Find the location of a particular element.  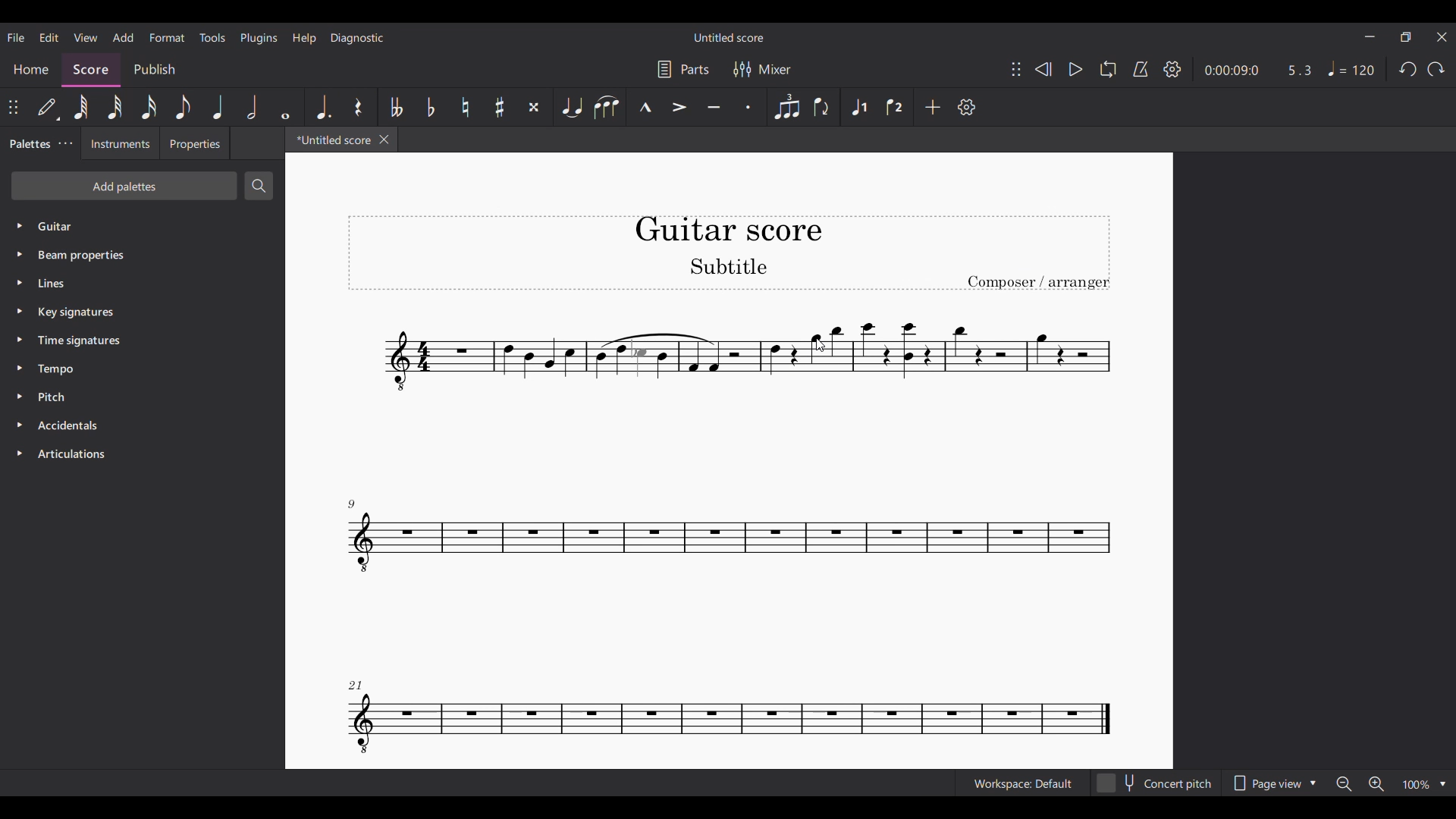

Settings is located at coordinates (967, 107).